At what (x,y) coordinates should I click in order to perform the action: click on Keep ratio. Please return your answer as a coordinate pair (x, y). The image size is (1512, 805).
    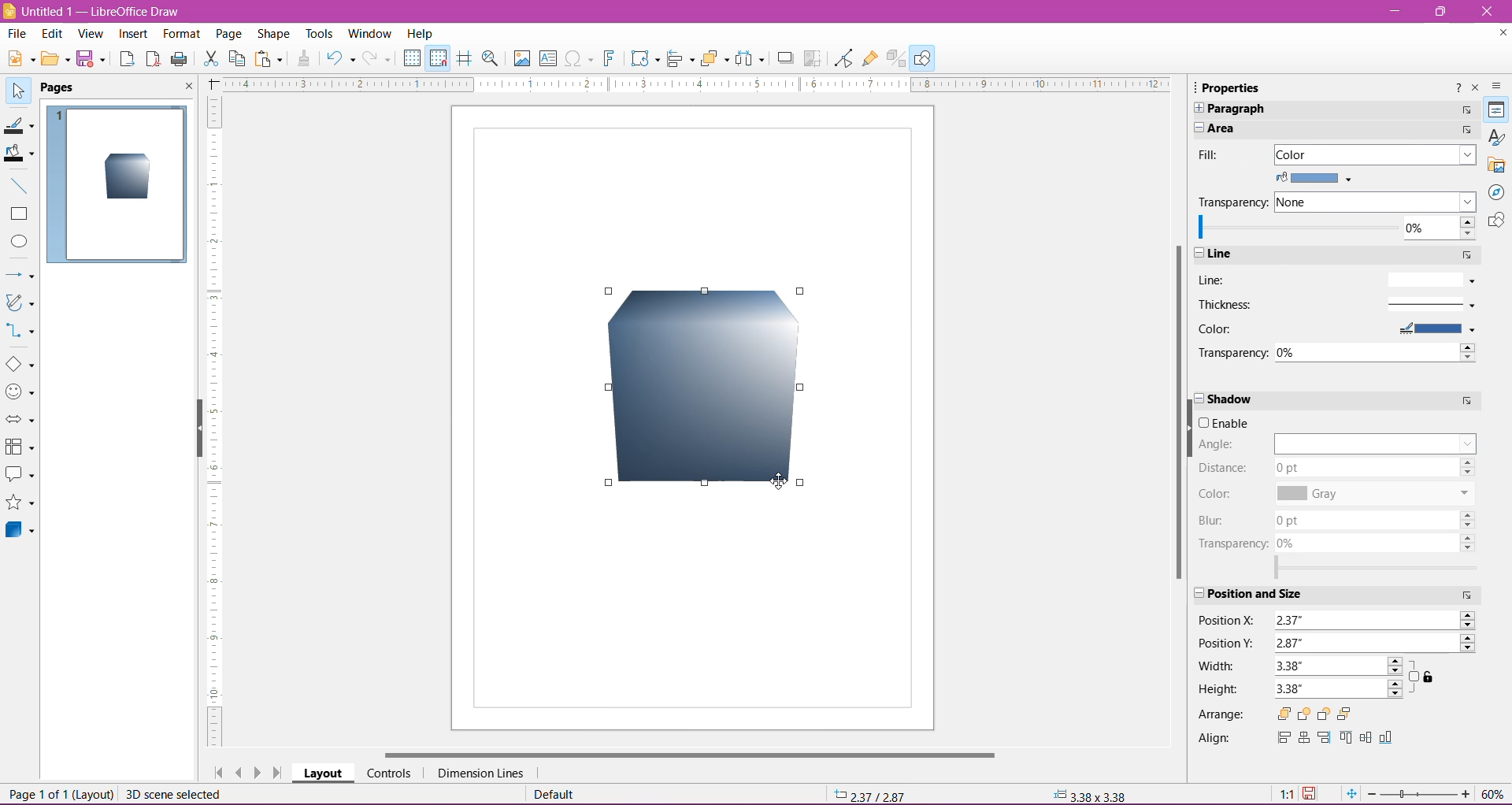
    Looking at the image, I should click on (1424, 677).